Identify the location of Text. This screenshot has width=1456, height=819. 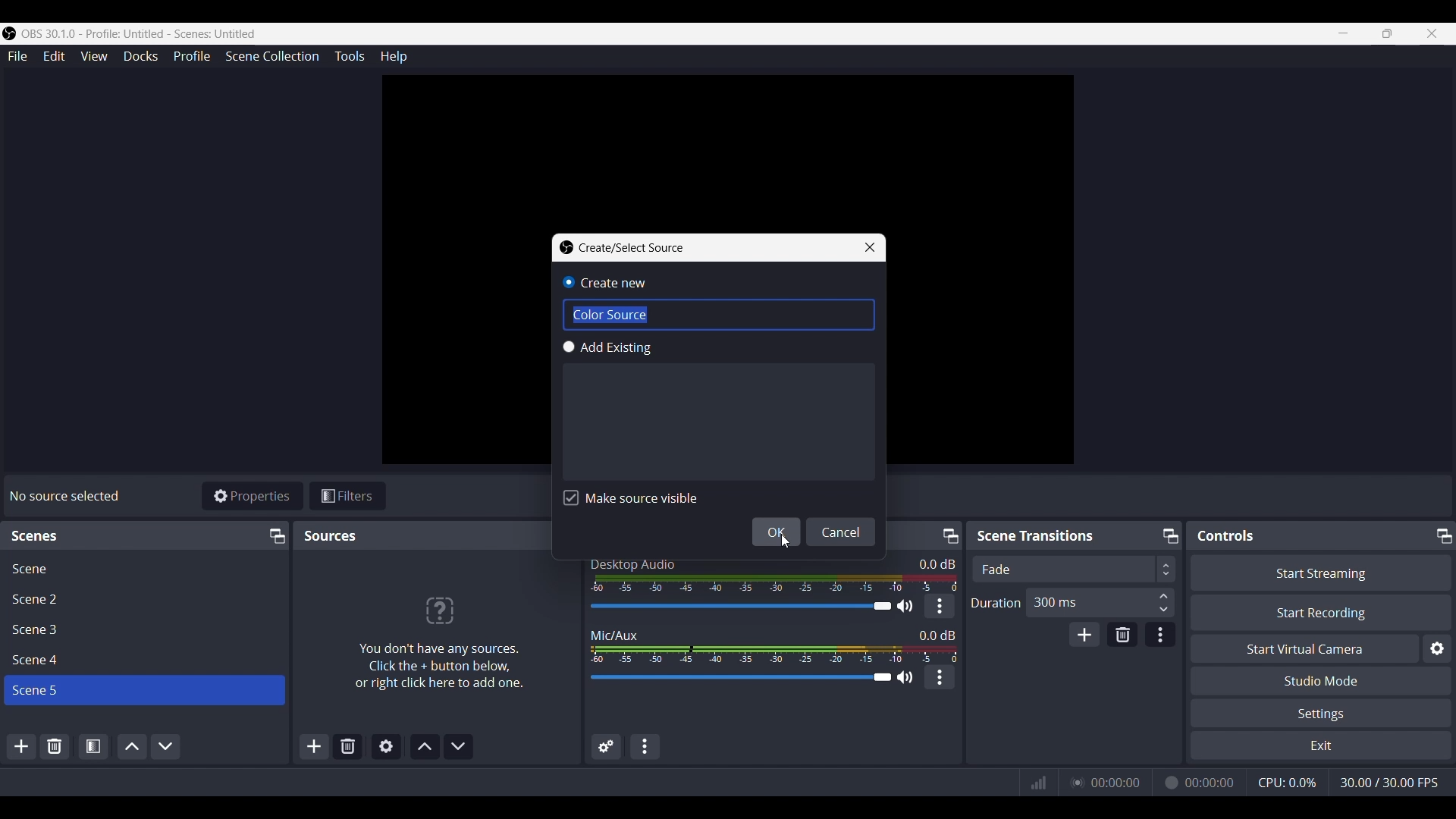
(632, 563).